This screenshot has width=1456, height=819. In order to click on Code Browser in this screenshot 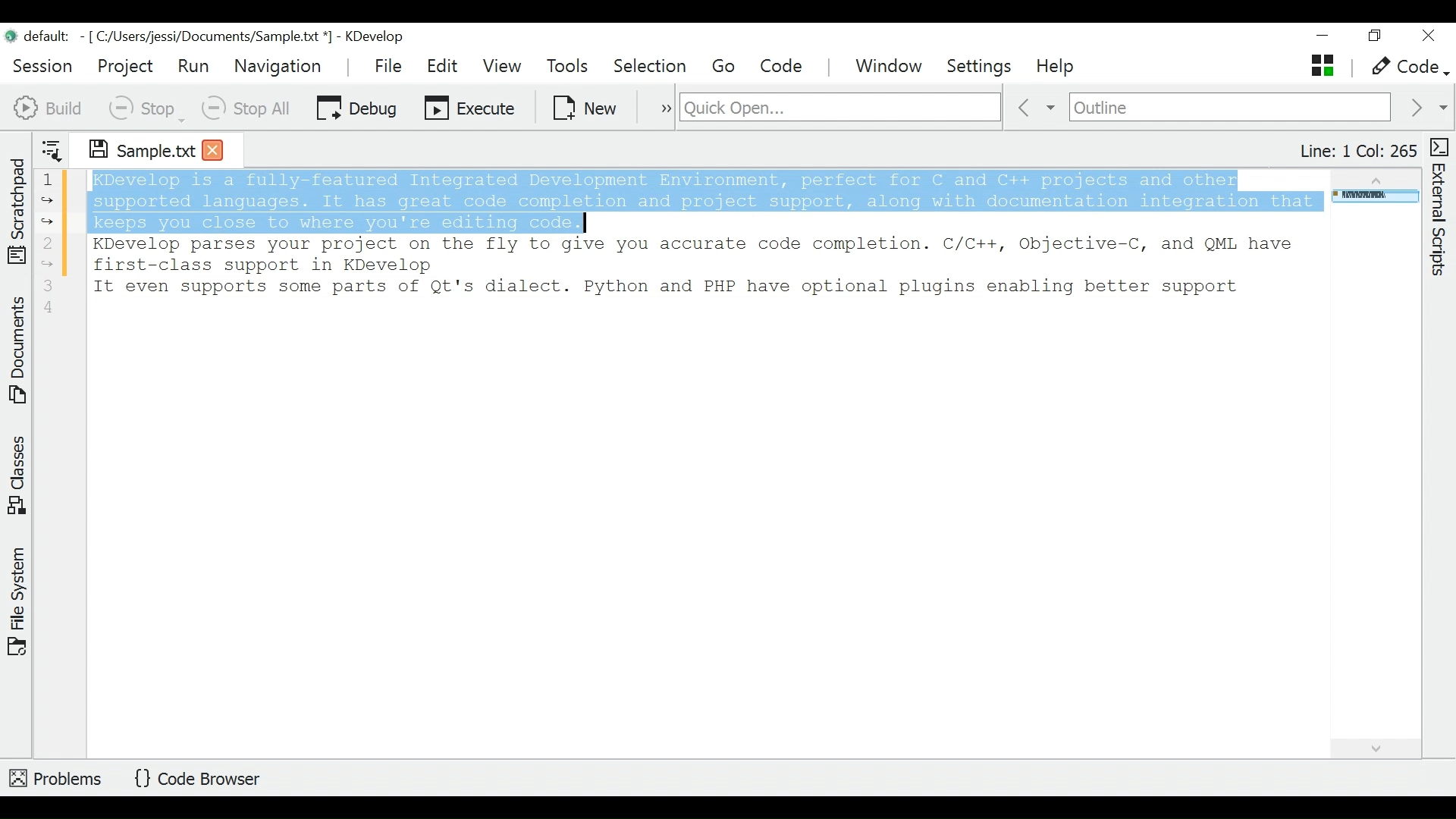, I will do `click(202, 780)`.